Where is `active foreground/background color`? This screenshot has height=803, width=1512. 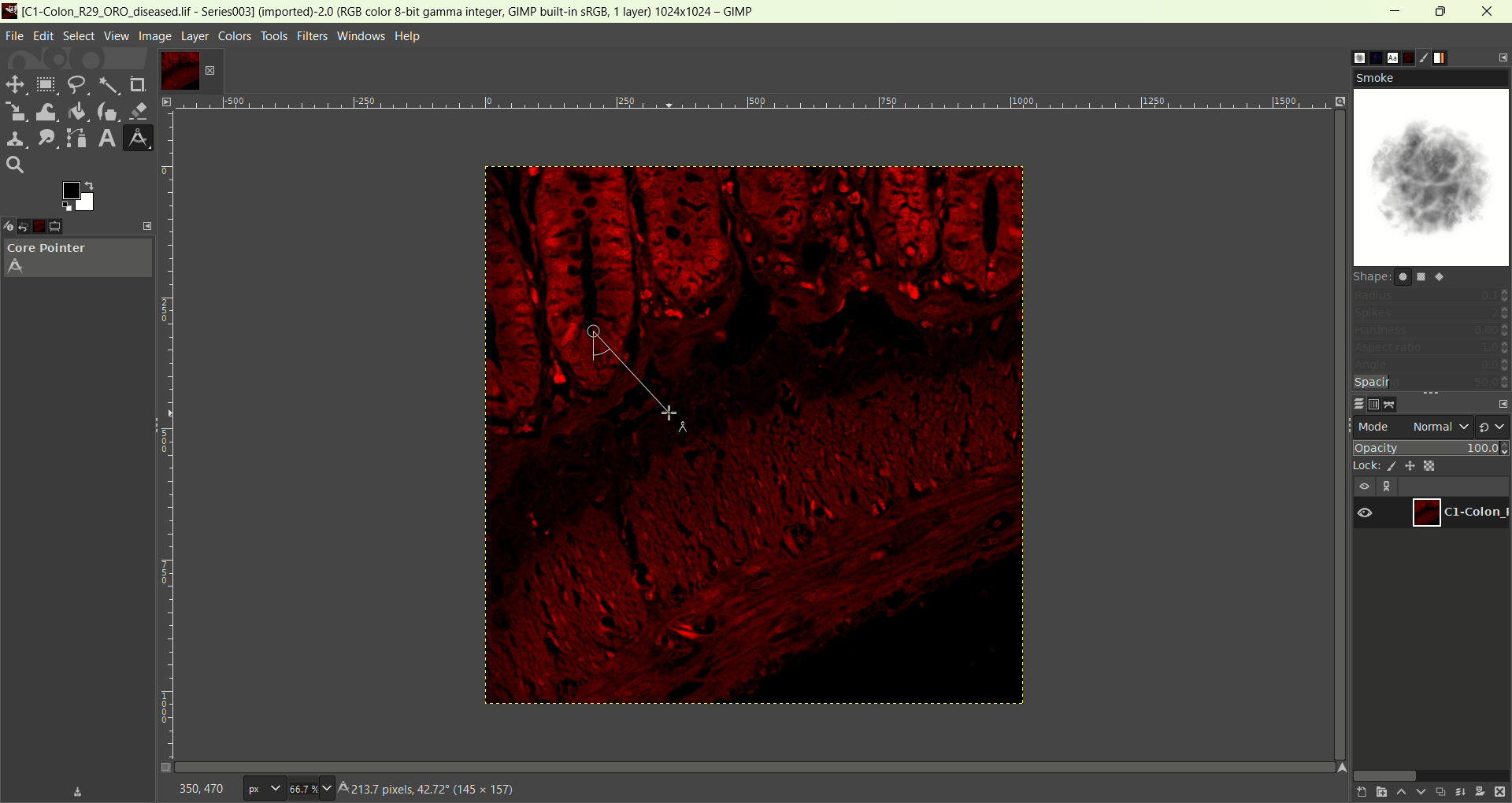 active foreground/background color is located at coordinates (76, 196).